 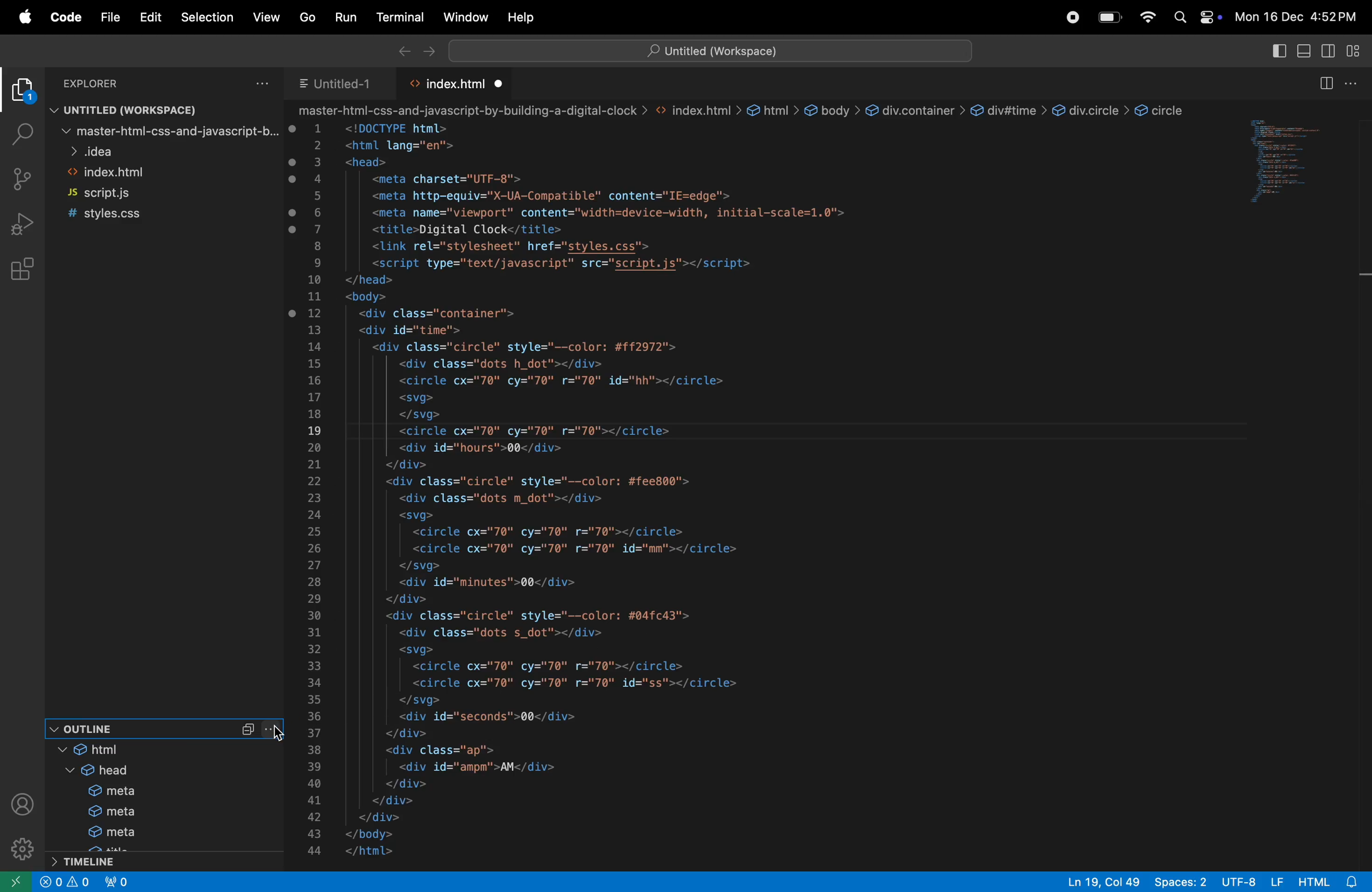 I want to click on options, so click(x=1358, y=83).